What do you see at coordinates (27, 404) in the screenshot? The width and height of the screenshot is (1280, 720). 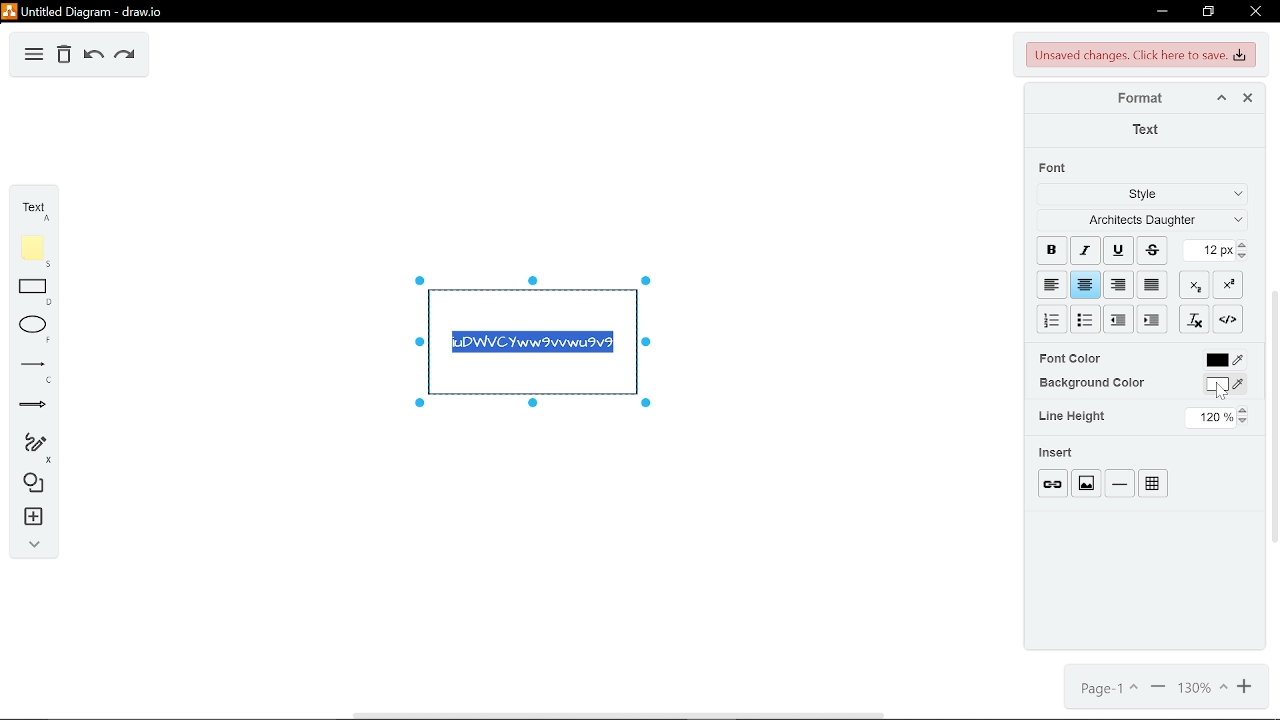 I see `arrows` at bounding box center [27, 404].